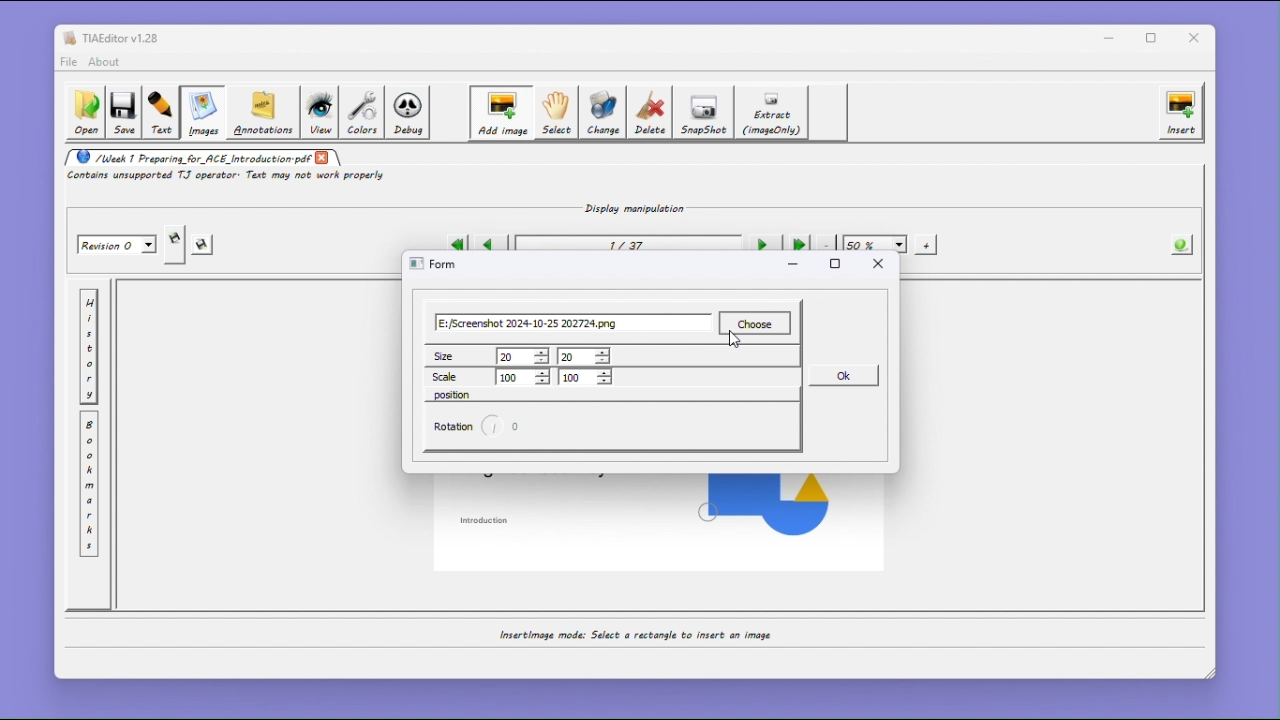 This screenshot has width=1280, height=720. What do you see at coordinates (453, 427) in the screenshot?
I see `rotation` at bounding box center [453, 427].